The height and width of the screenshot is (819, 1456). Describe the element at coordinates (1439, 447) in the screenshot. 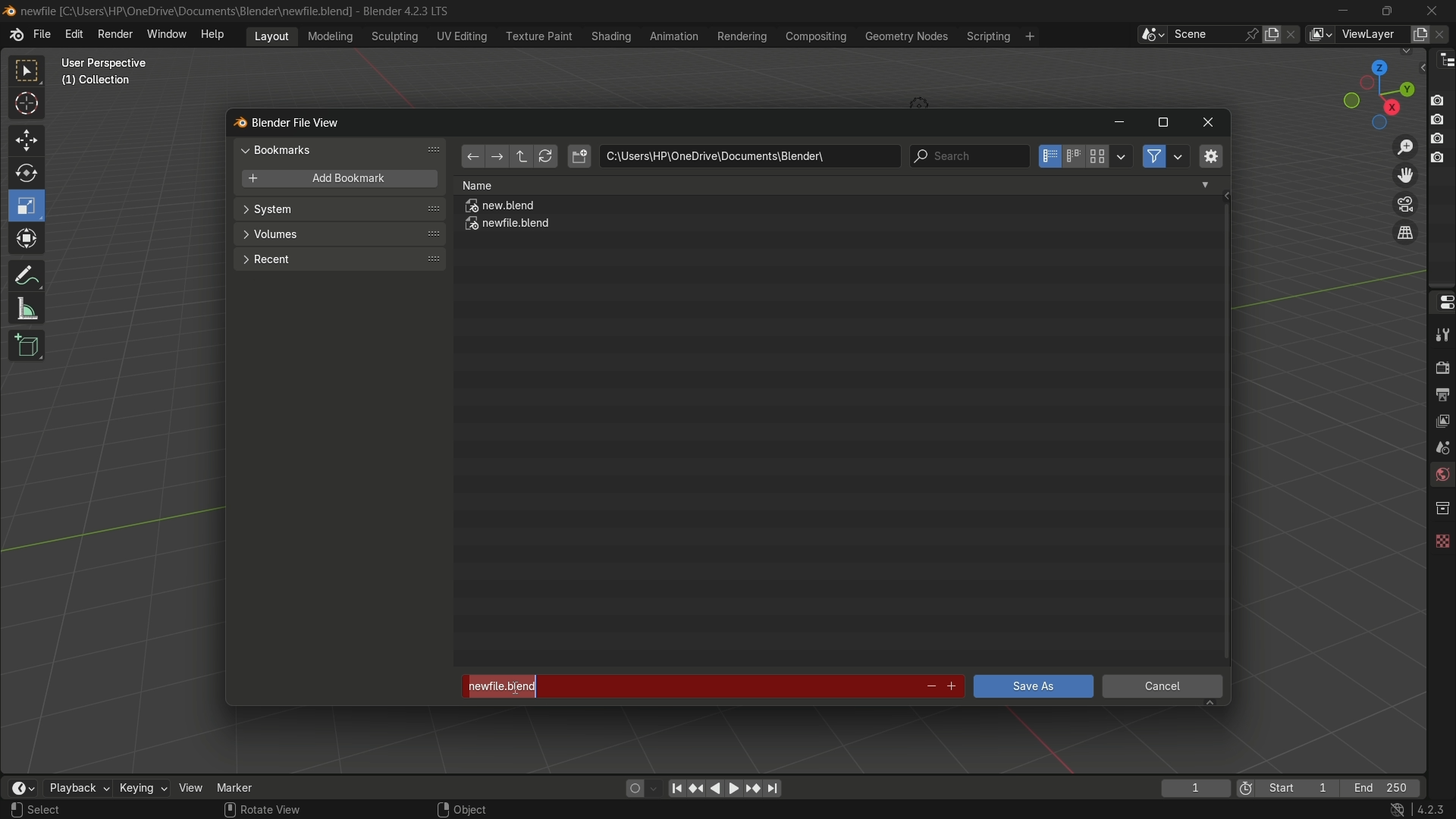

I see `scene` at that location.